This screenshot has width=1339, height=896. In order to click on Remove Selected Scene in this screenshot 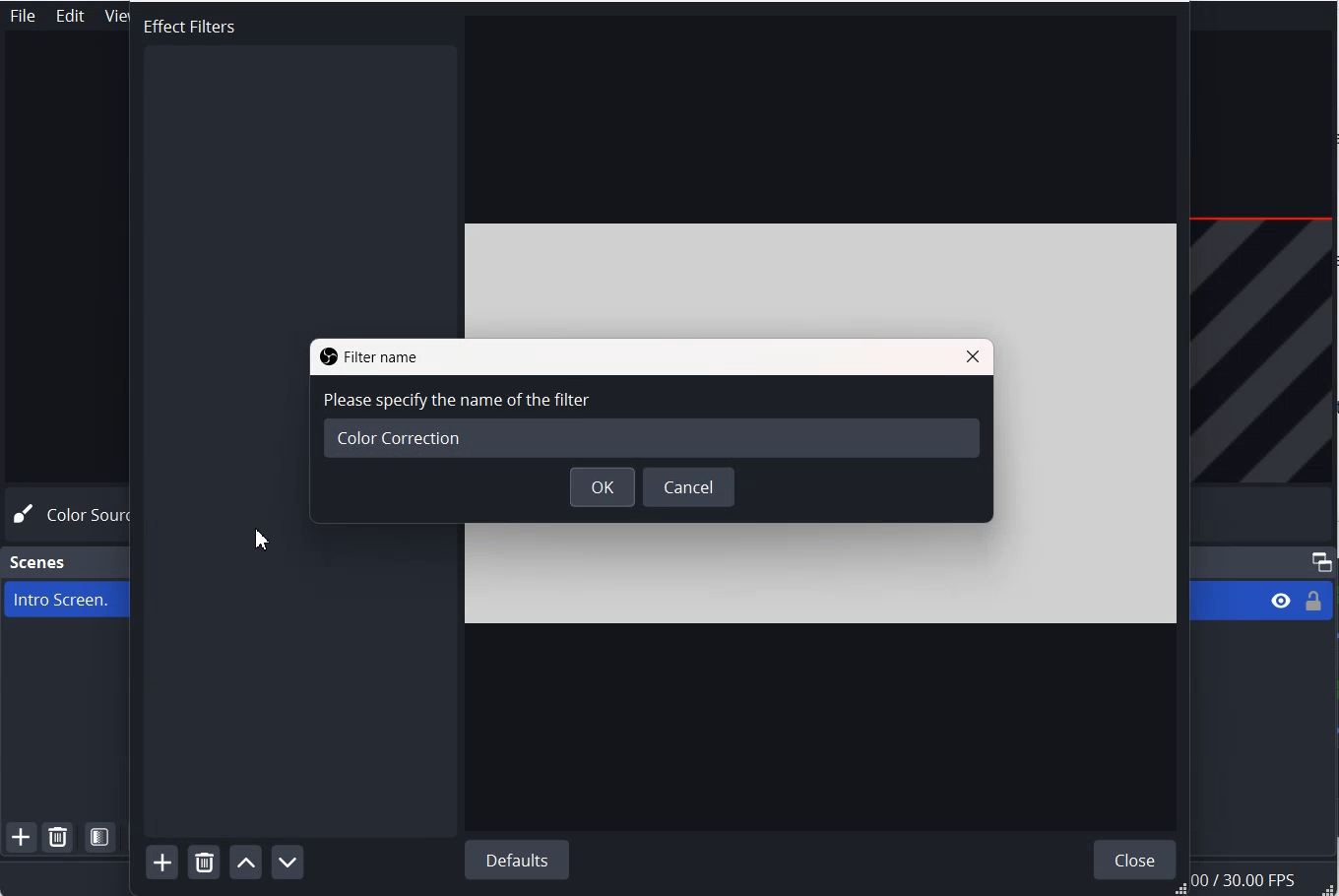, I will do `click(59, 839)`.